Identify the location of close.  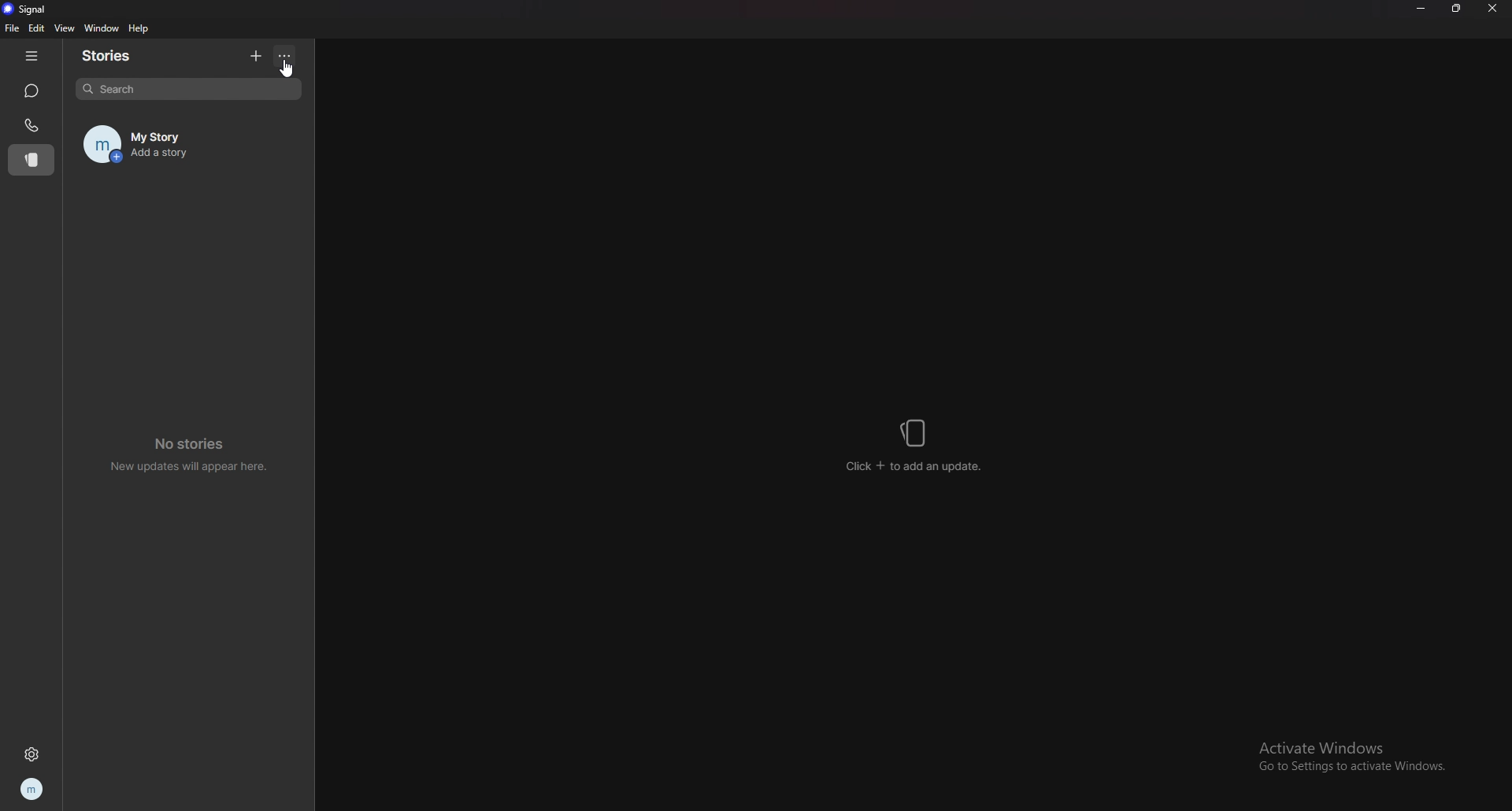
(1492, 9).